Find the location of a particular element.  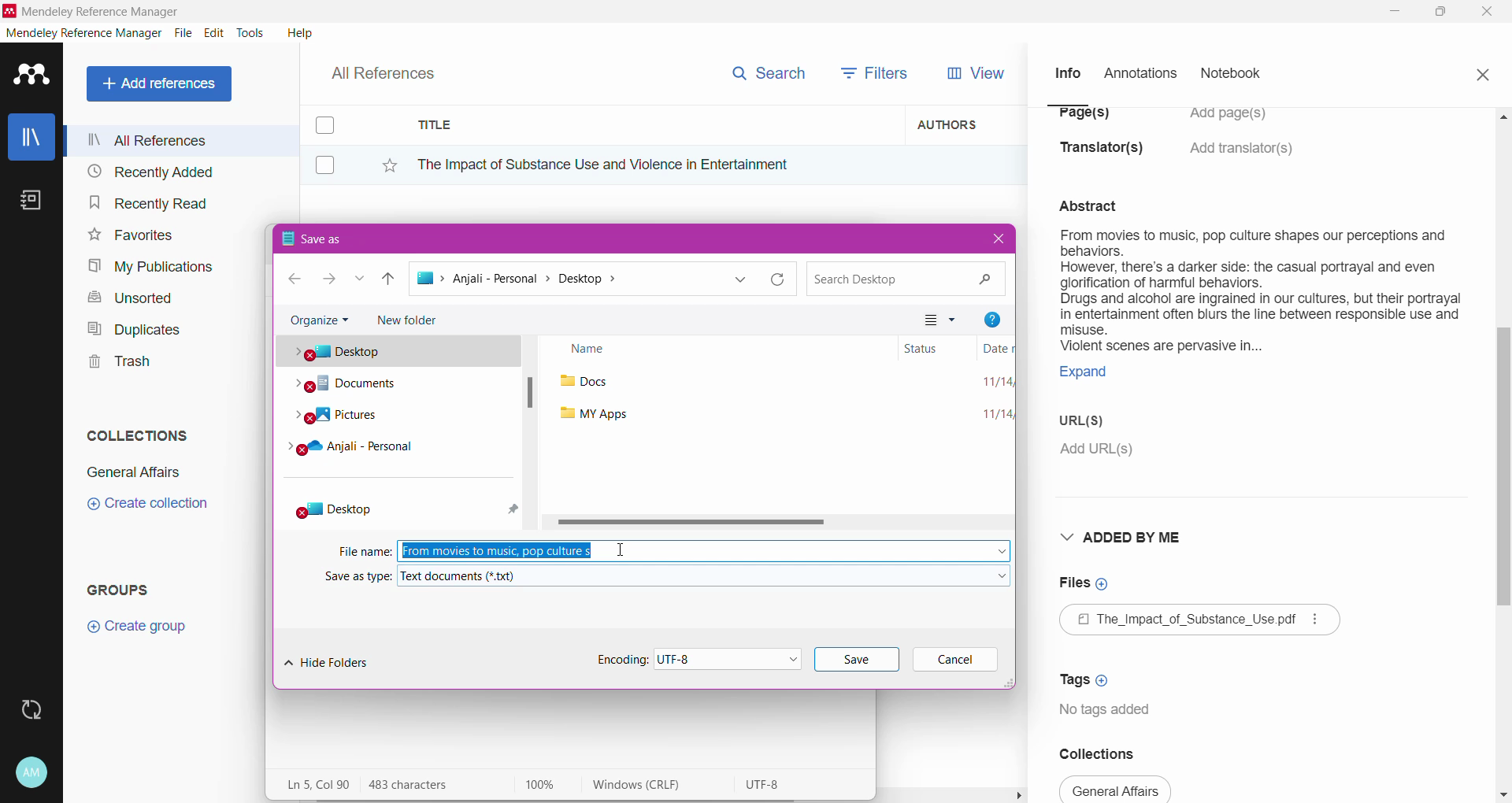

Click to Add Pages is located at coordinates (1236, 121).